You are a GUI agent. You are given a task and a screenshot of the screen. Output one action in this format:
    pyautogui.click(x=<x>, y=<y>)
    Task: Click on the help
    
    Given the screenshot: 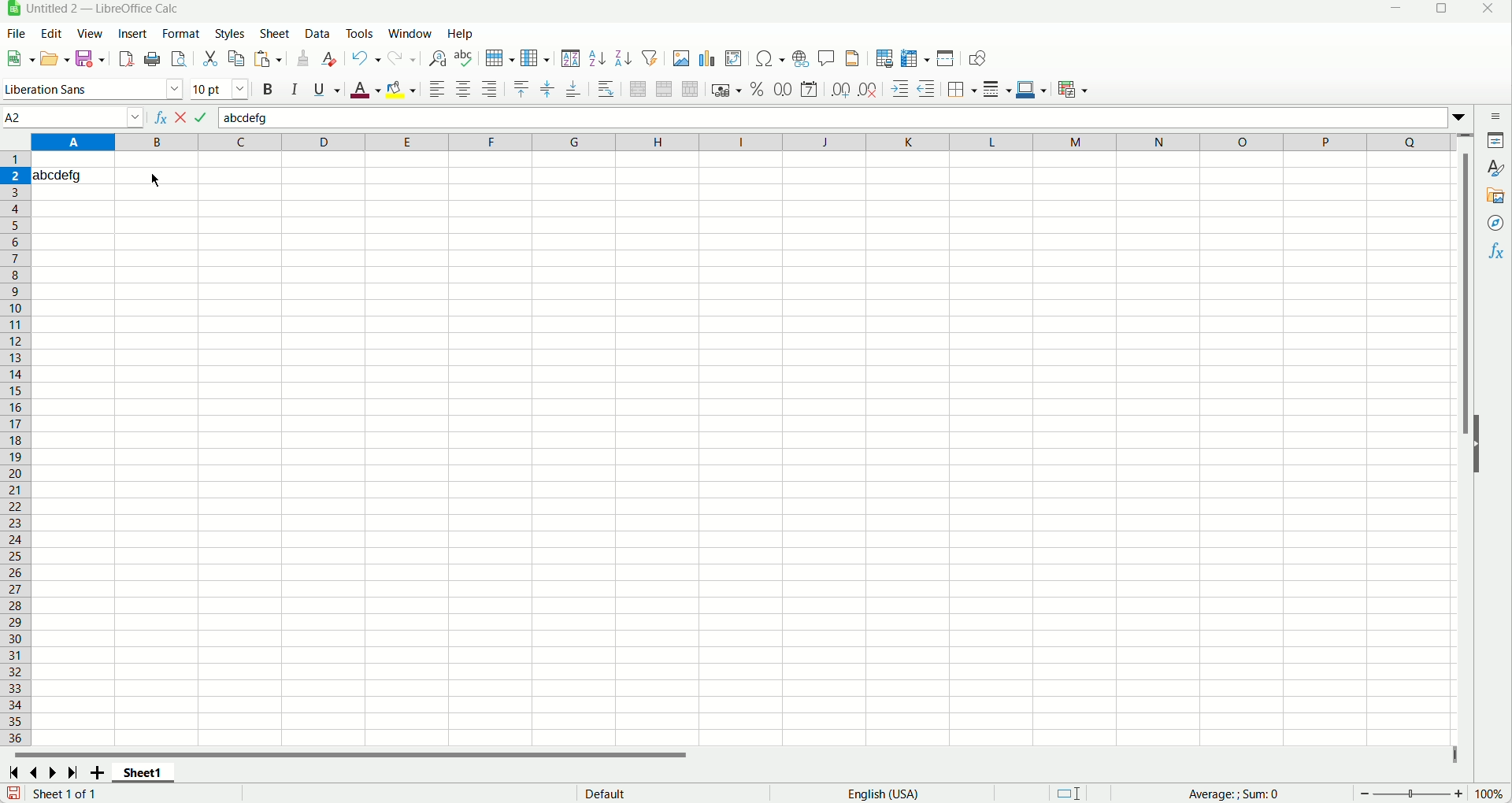 What is the action you would take?
    pyautogui.click(x=461, y=33)
    